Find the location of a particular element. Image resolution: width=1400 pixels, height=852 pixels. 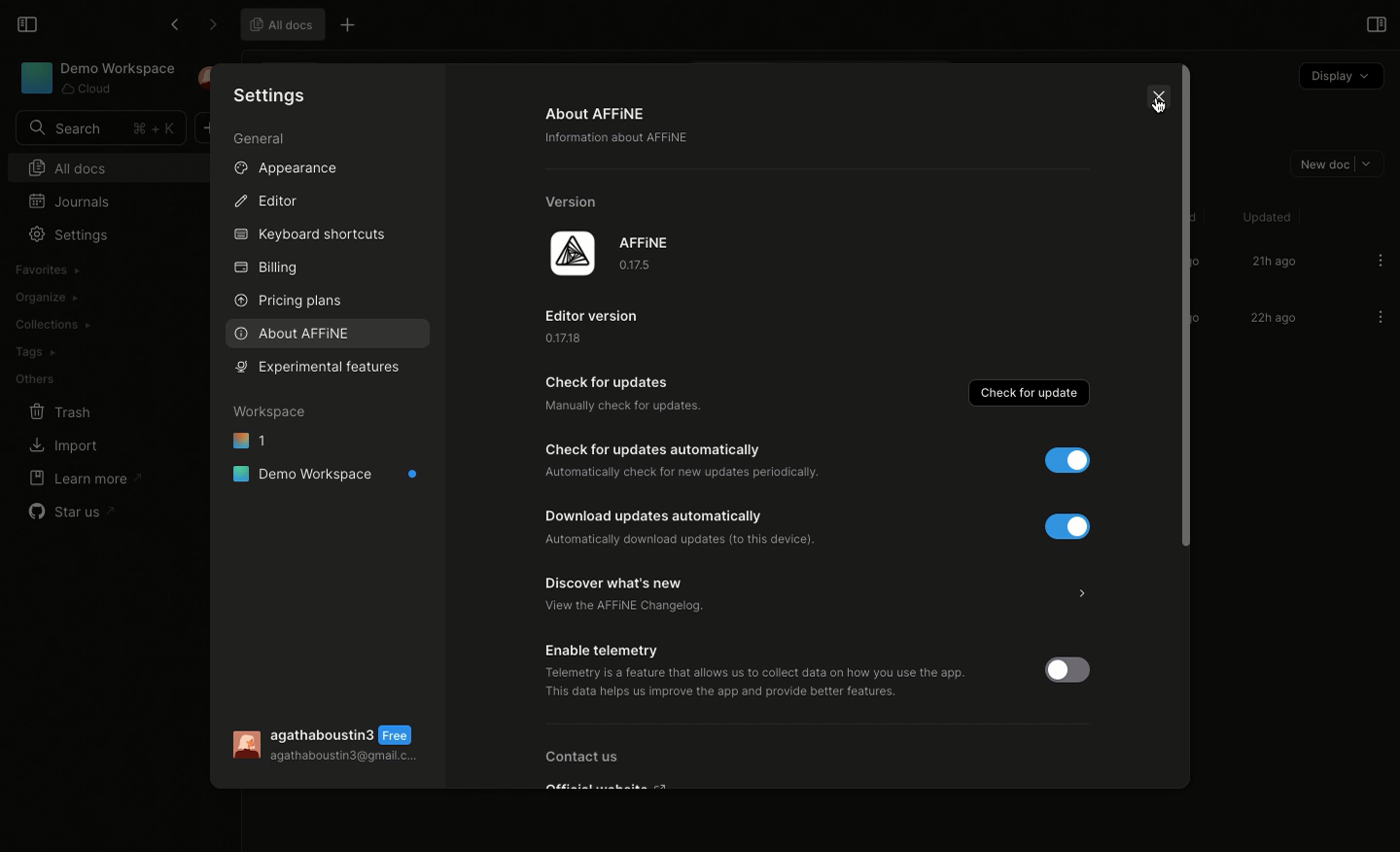

1 is located at coordinates (250, 439).